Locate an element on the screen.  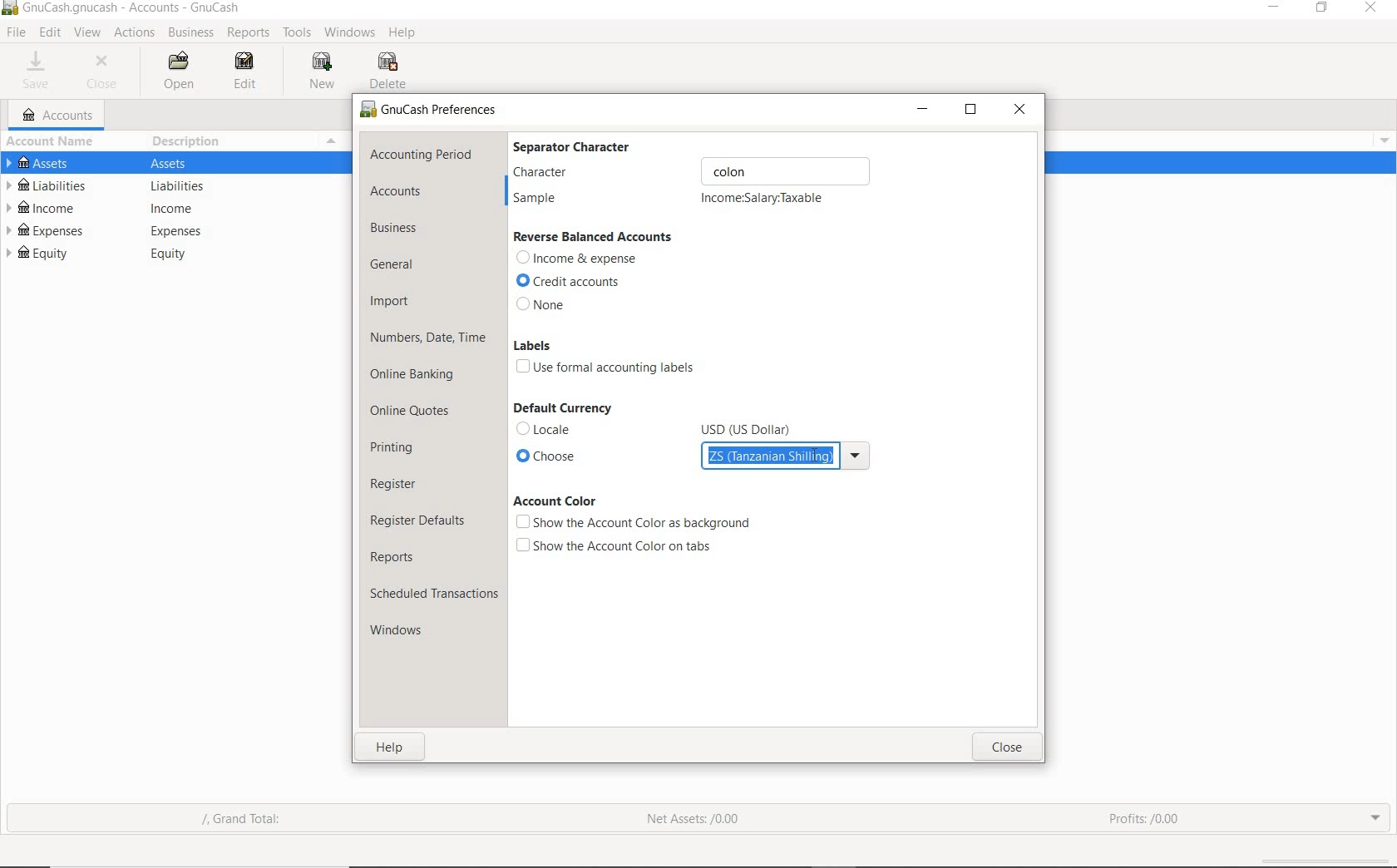
preferences is located at coordinates (365, 112).